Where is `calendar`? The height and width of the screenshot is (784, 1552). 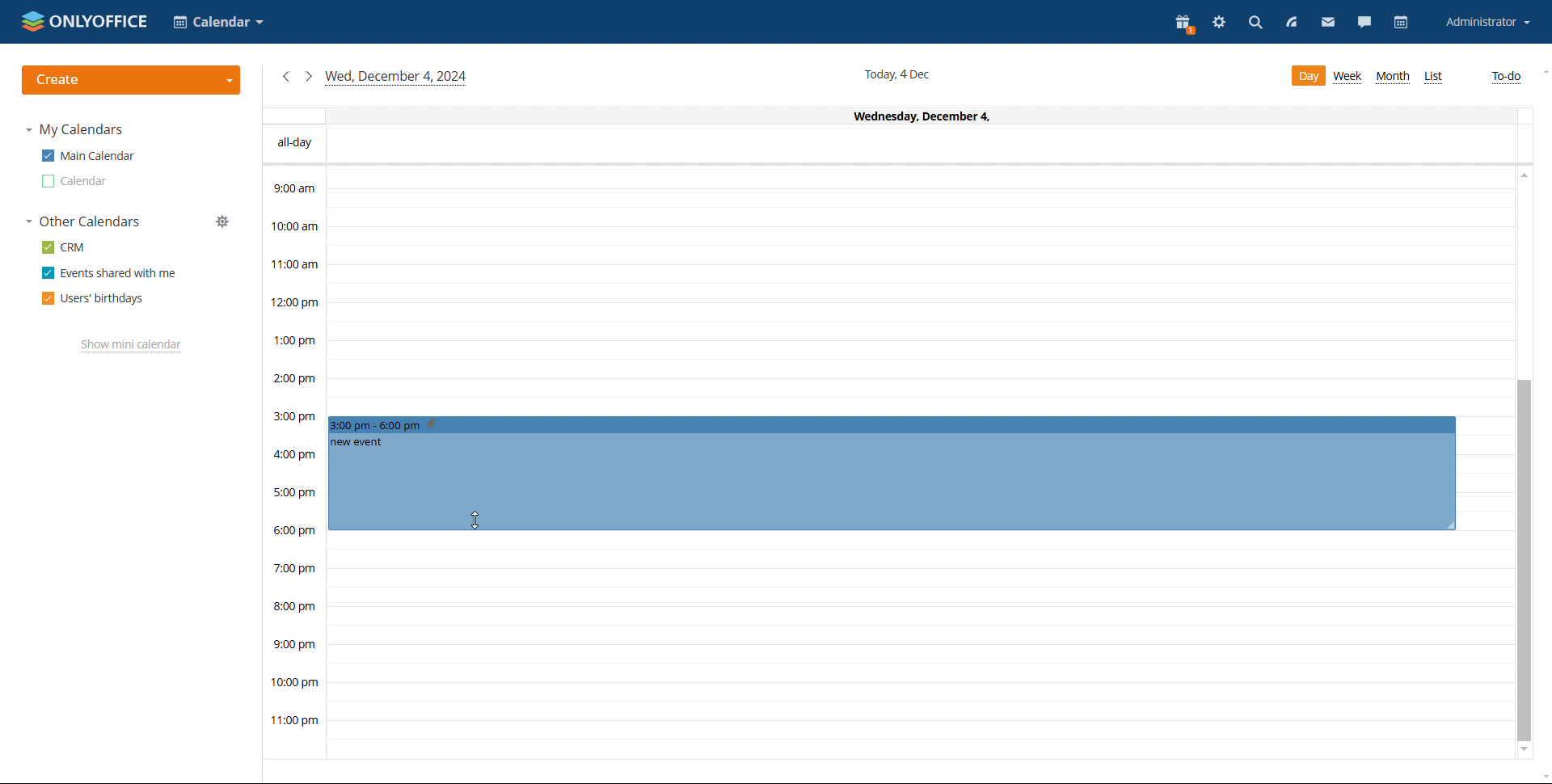
calendar is located at coordinates (1403, 22).